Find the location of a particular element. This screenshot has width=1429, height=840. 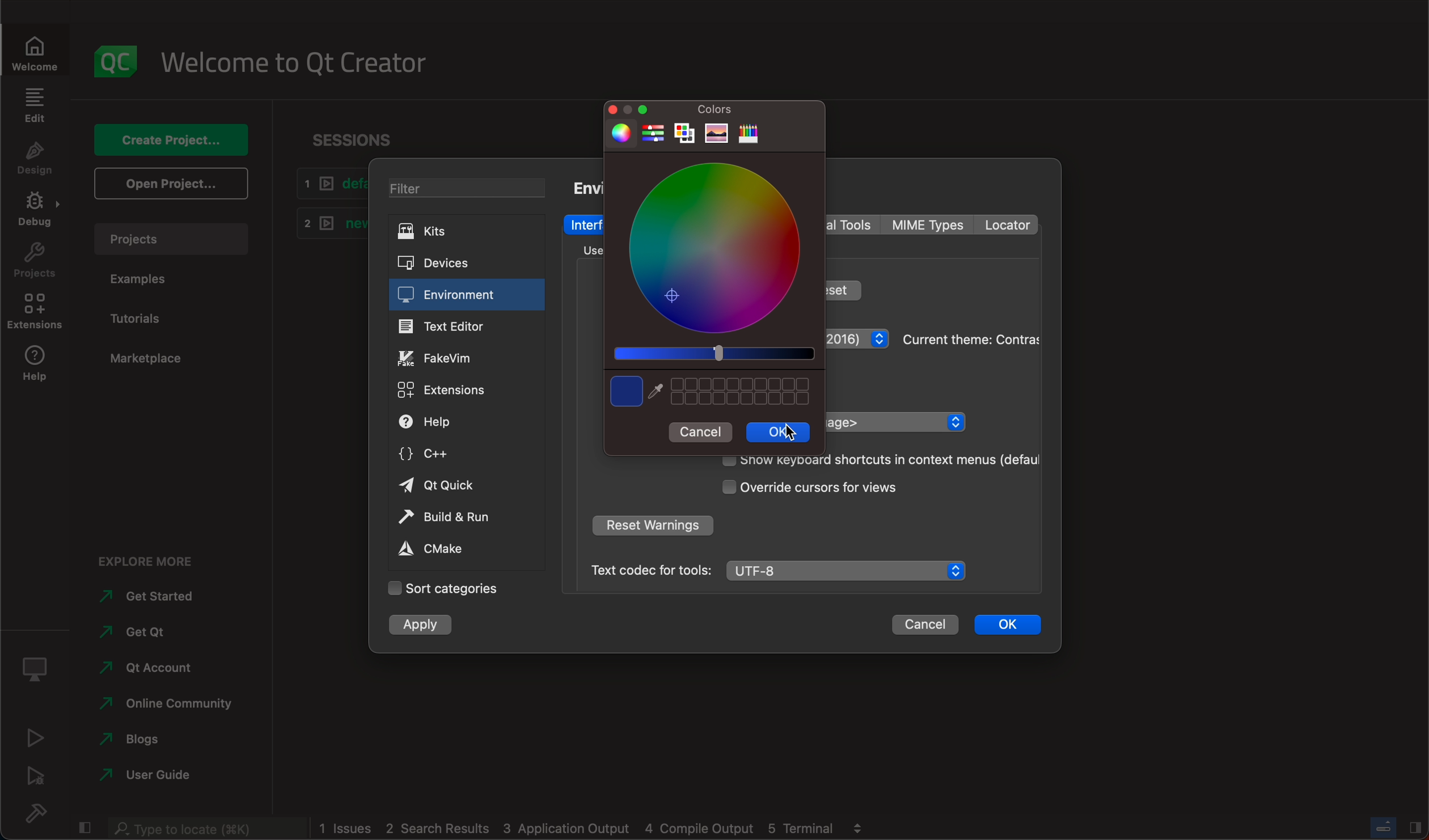

language is located at coordinates (895, 422).